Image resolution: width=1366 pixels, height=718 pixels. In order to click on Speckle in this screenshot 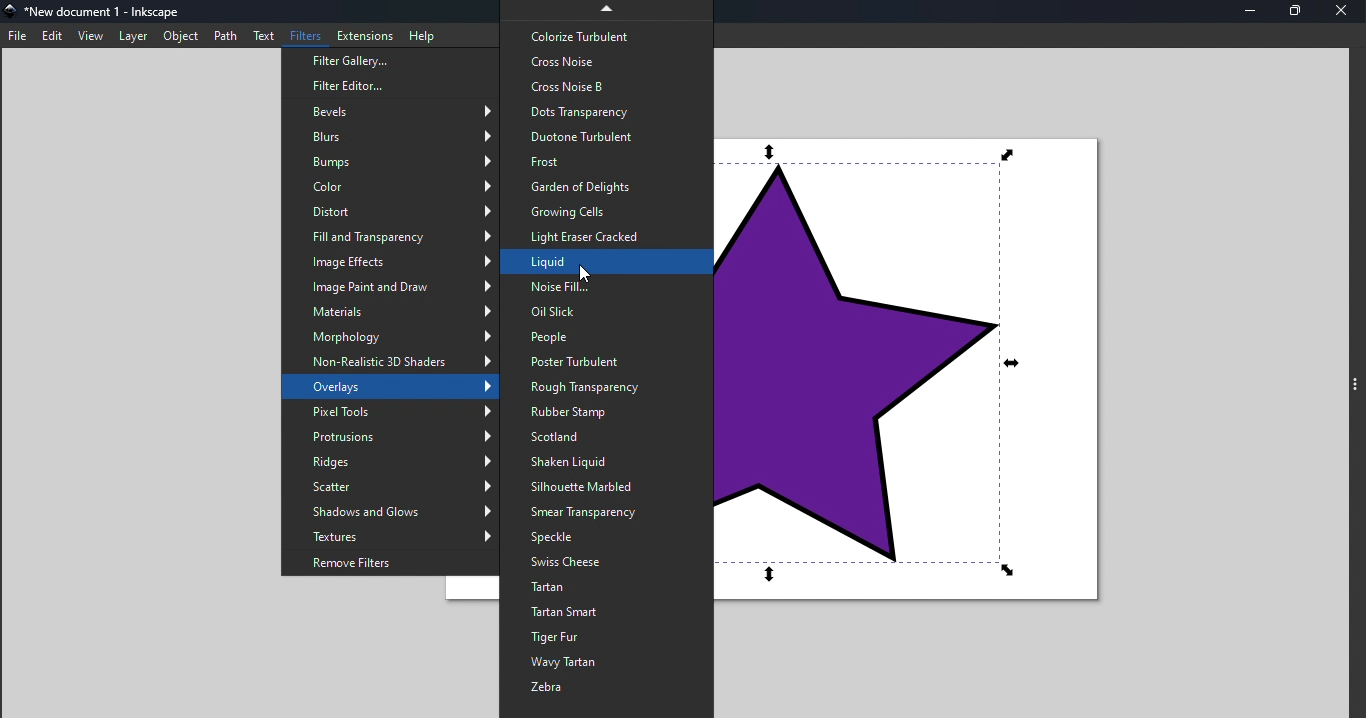, I will do `click(607, 538)`.